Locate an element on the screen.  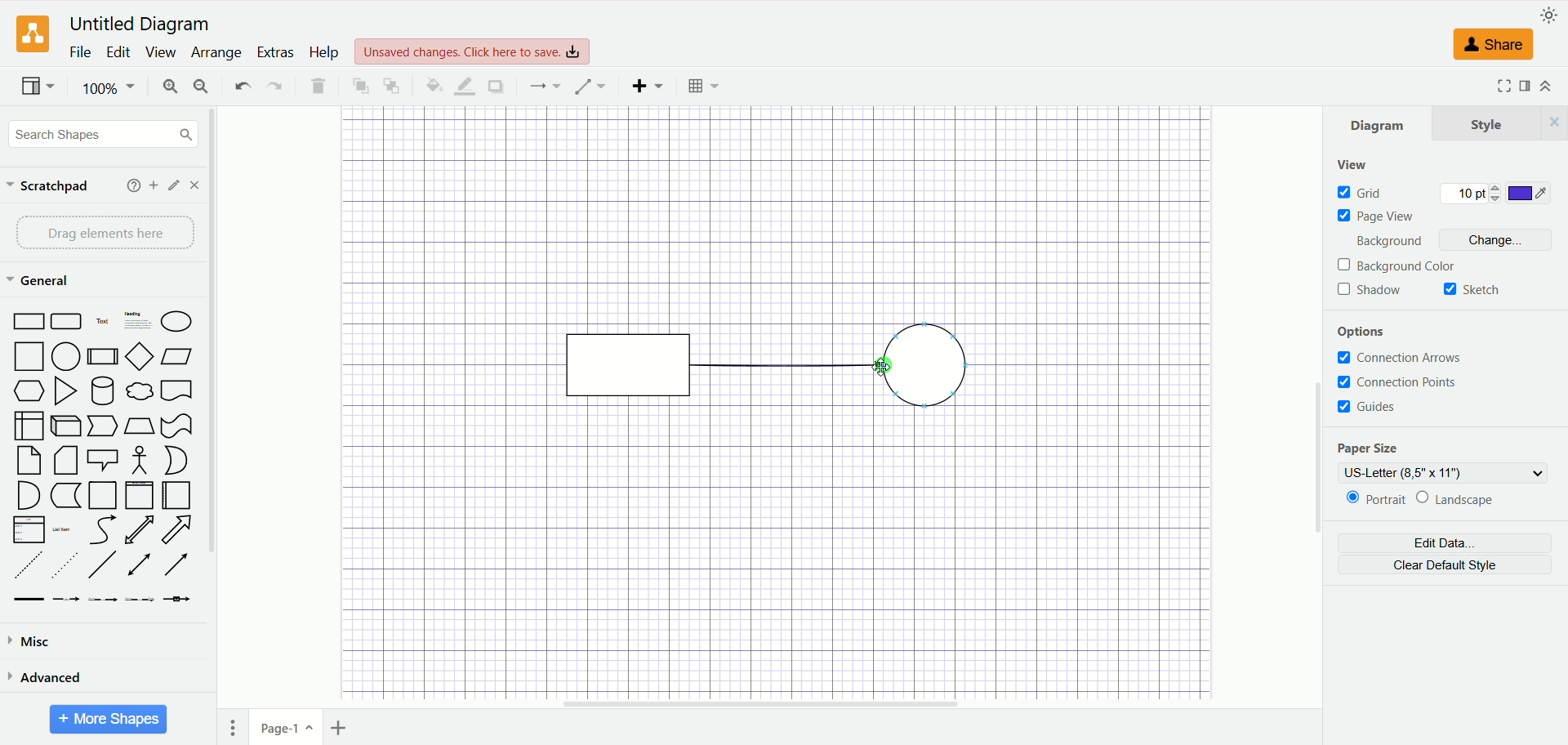
portrait is located at coordinates (1371, 500).